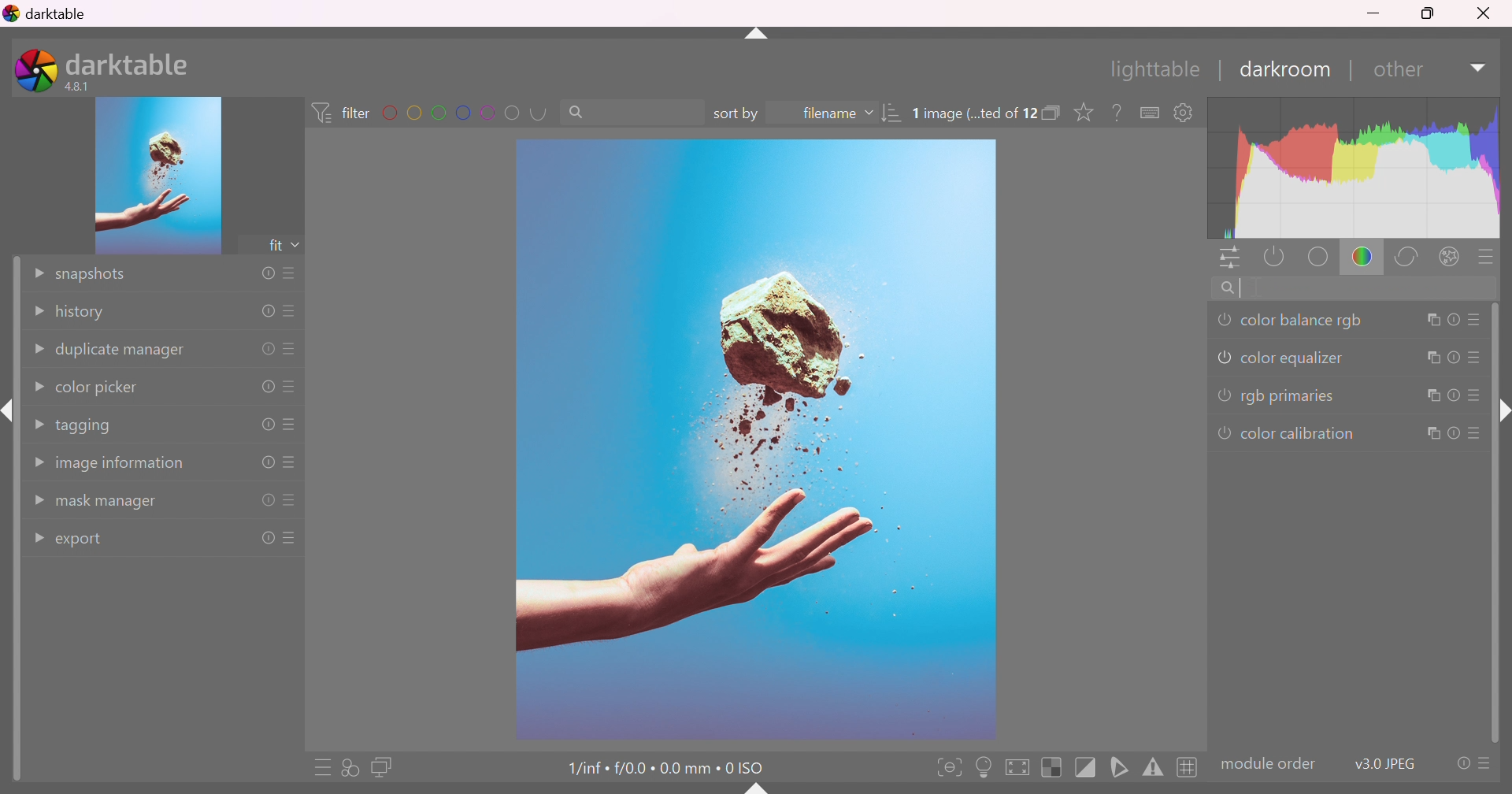 The image size is (1512, 794). What do you see at coordinates (294, 386) in the screenshot?
I see `presets` at bounding box center [294, 386].